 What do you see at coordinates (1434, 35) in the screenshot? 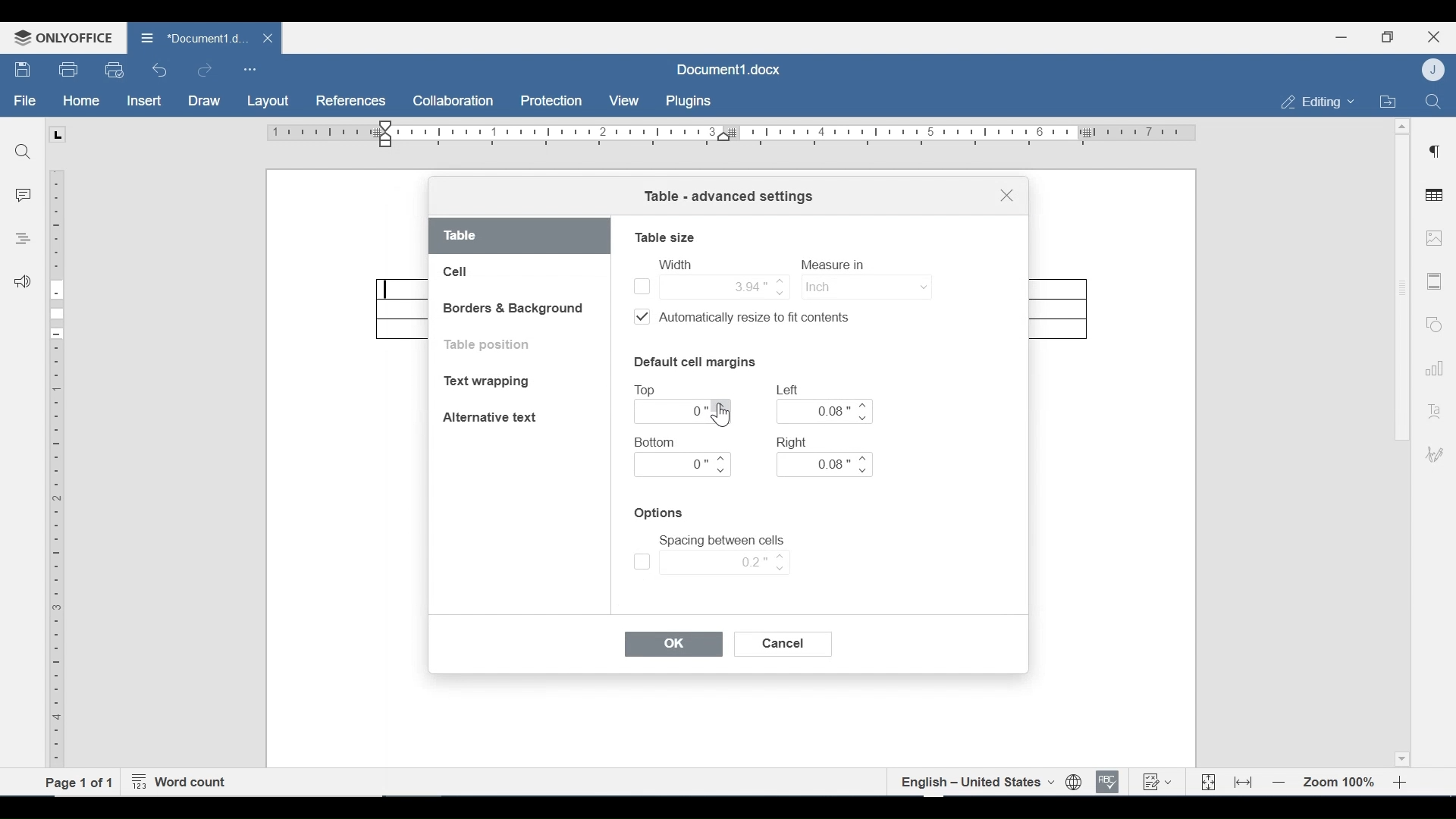
I see `Close` at bounding box center [1434, 35].